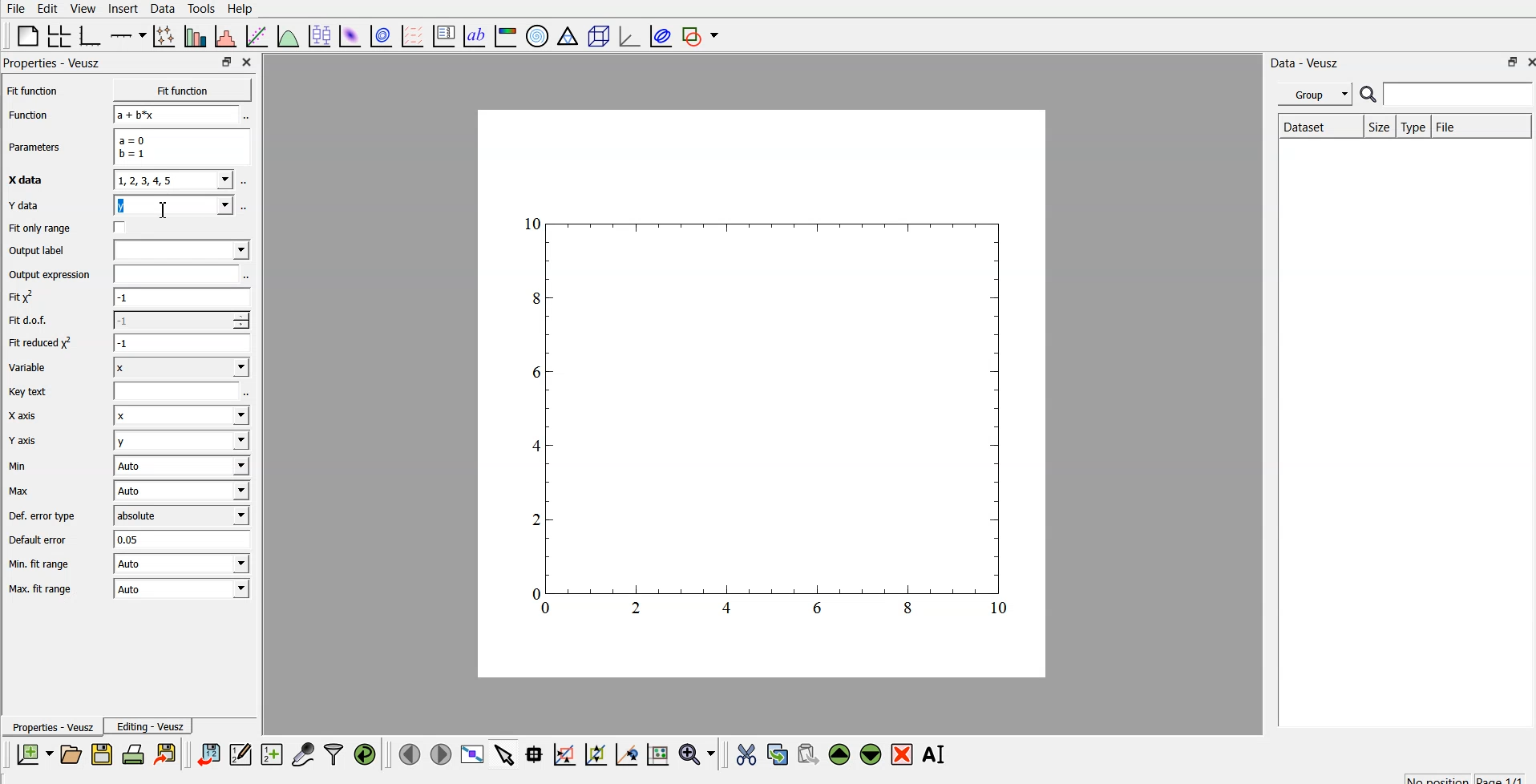  Describe the element at coordinates (44, 148) in the screenshot. I see `Parameters` at that location.